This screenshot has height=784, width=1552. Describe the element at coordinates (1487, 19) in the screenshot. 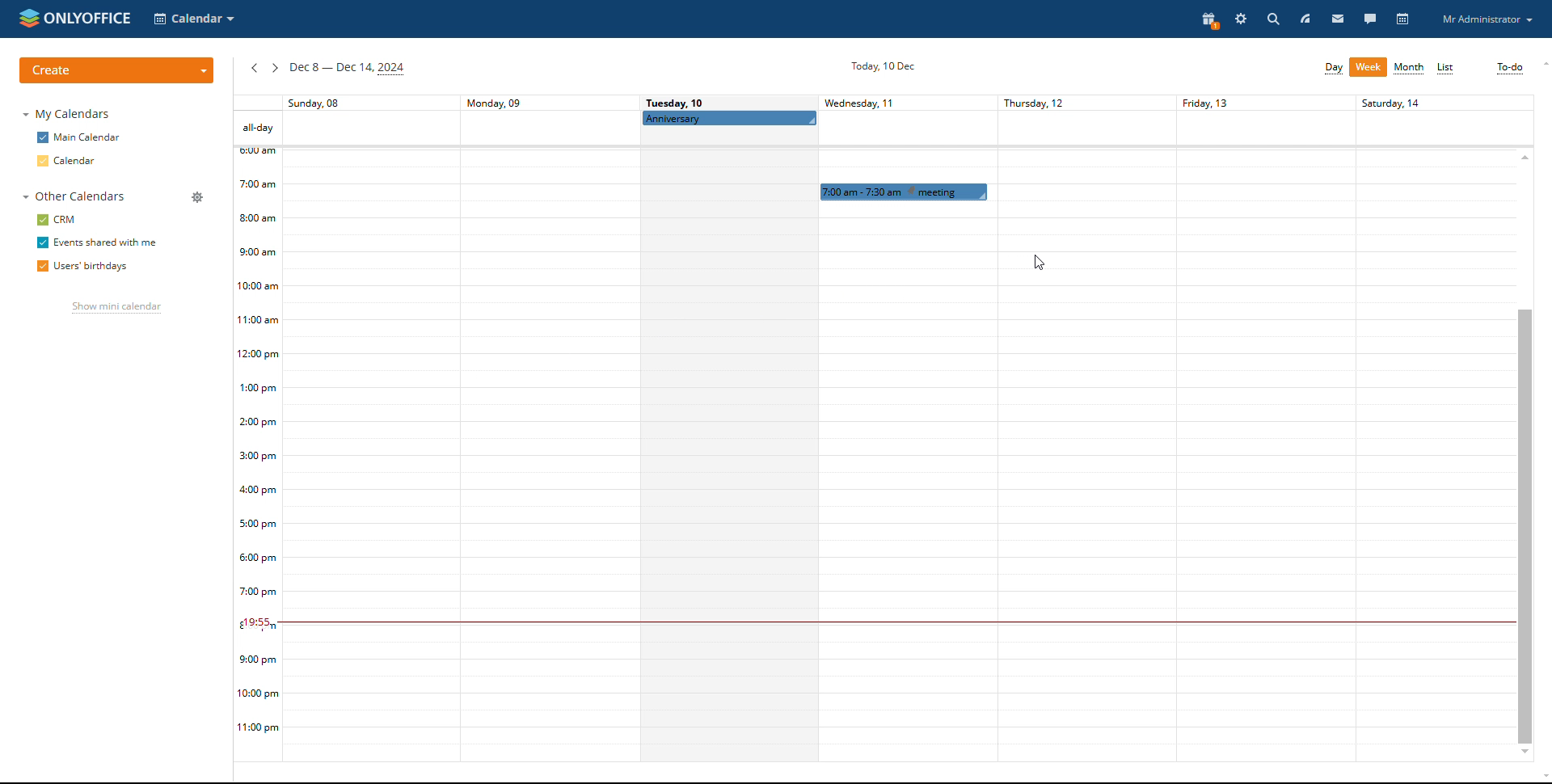

I see `profile` at that location.